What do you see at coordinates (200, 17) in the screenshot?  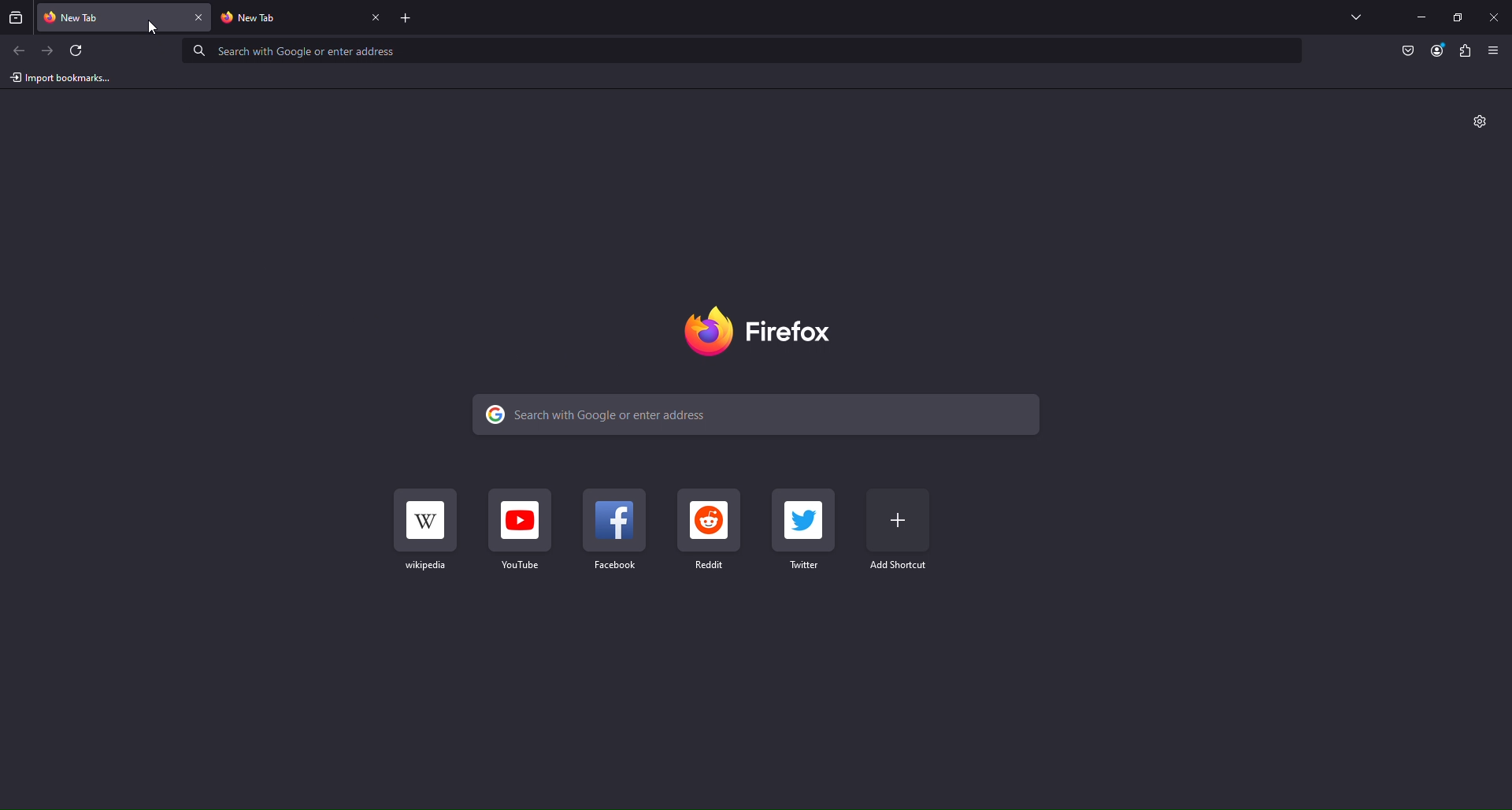 I see `close tab` at bounding box center [200, 17].